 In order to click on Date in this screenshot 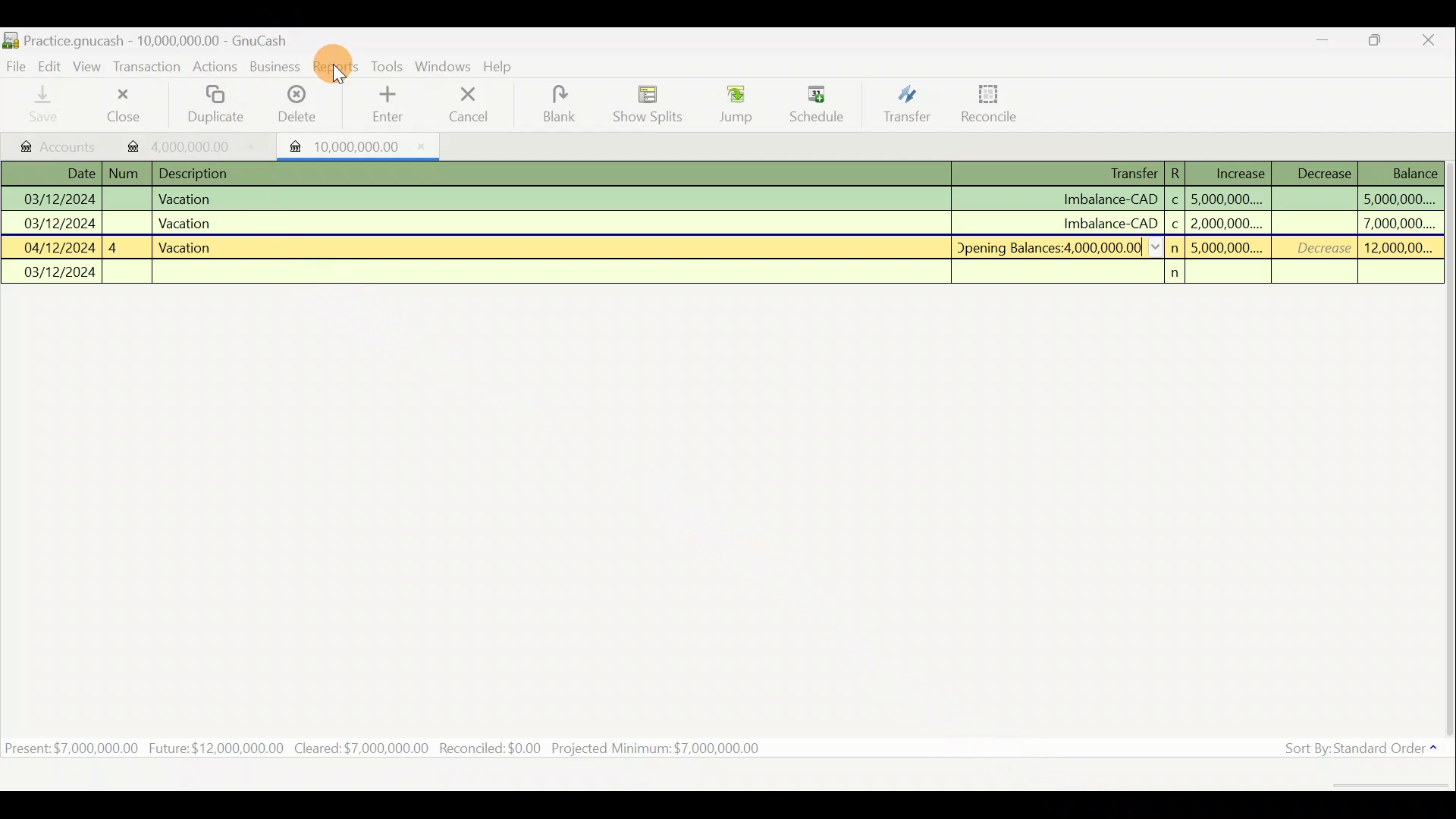, I will do `click(77, 174)`.